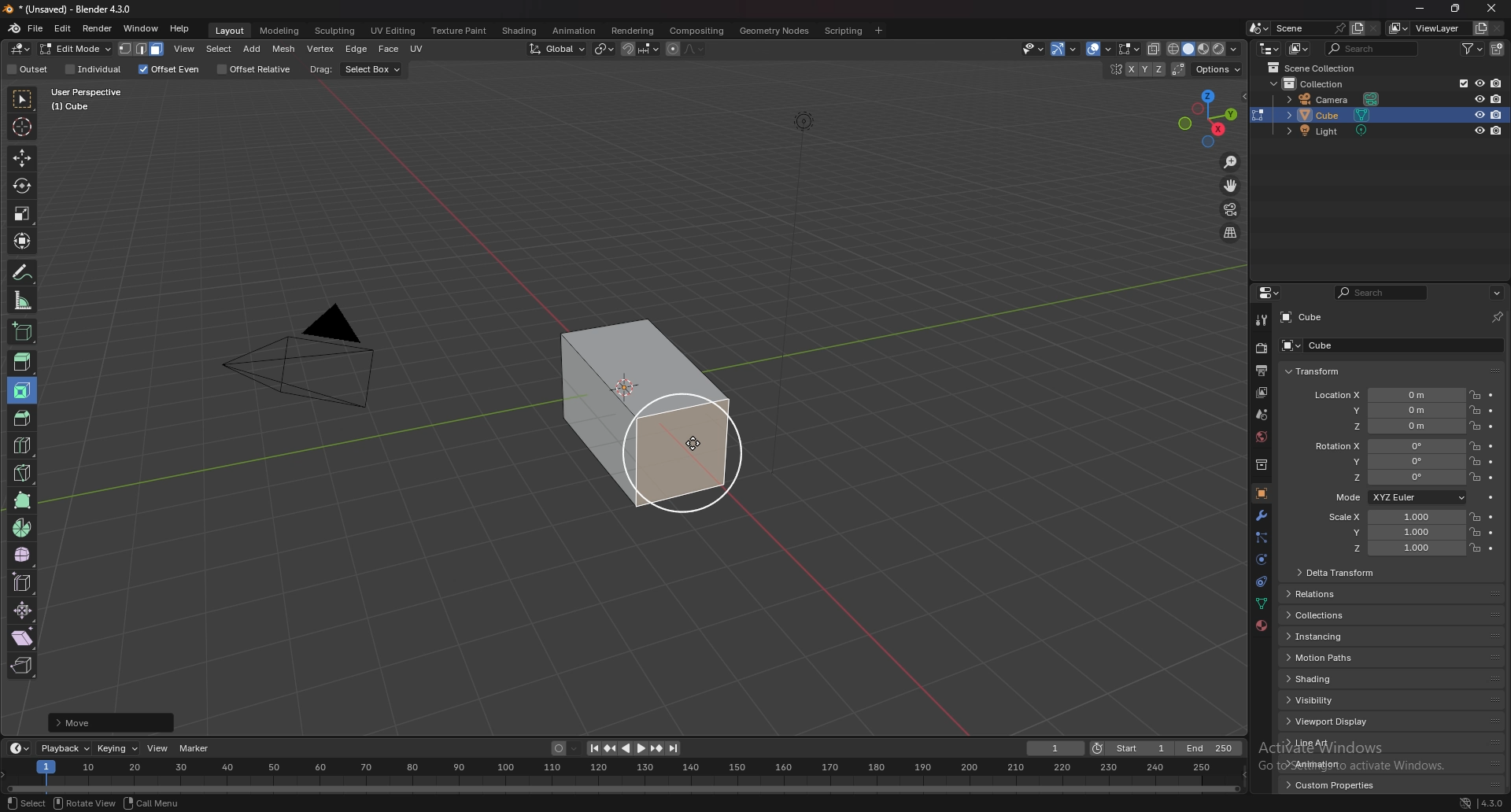  I want to click on shear, so click(23, 637).